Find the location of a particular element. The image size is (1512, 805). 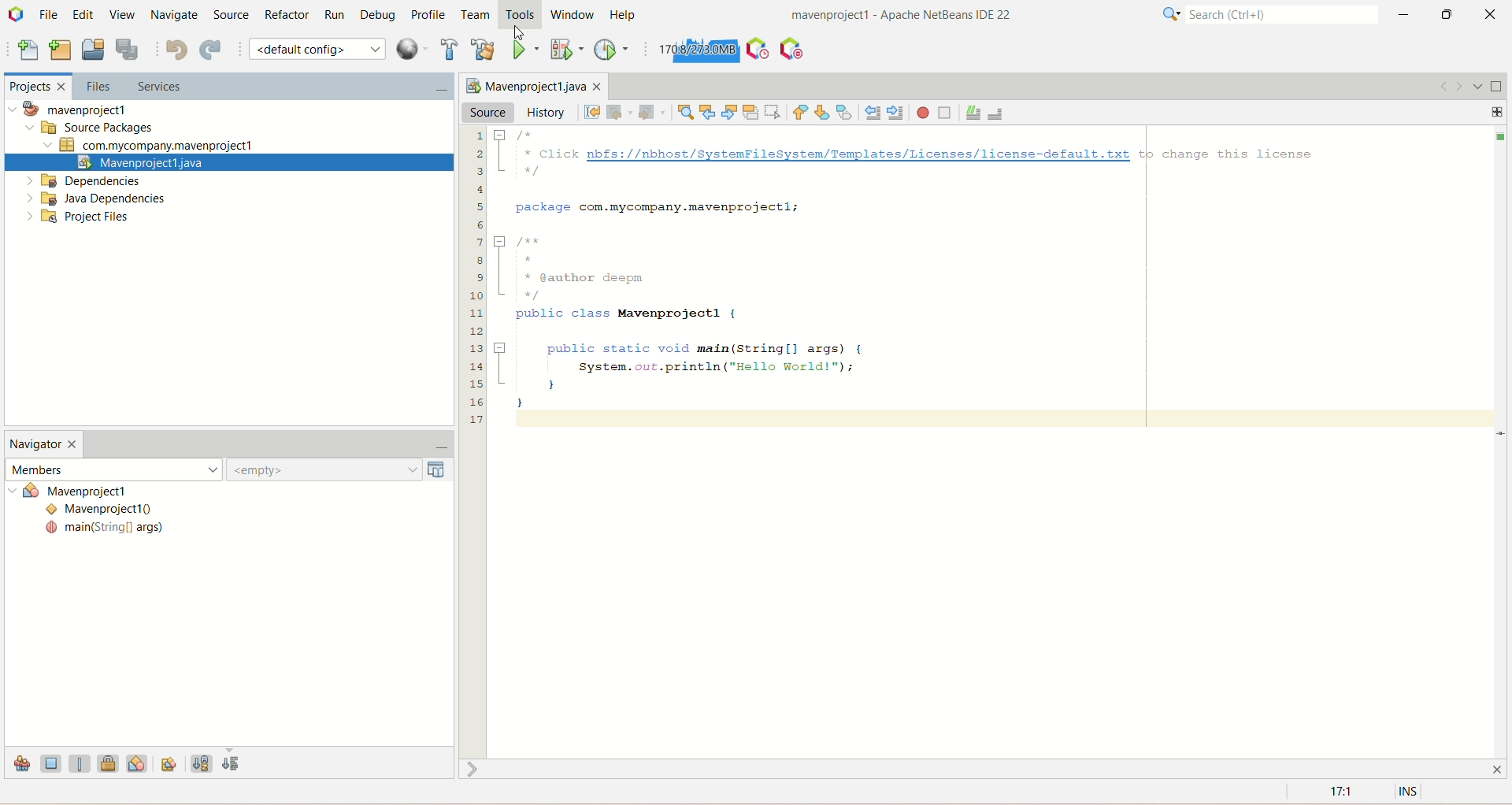

toggle highlight search is located at coordinates (750, 113).